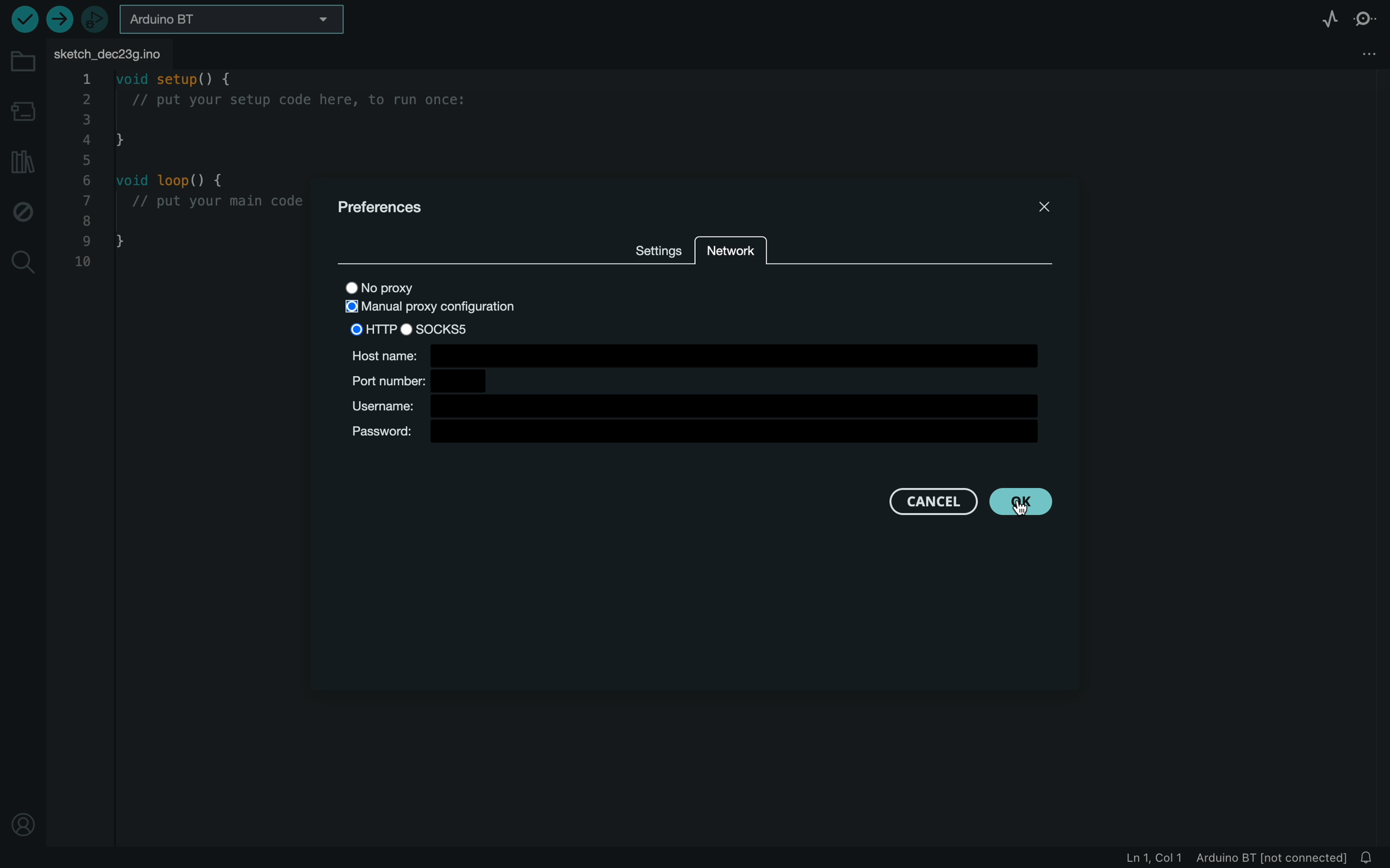  What do you see at coordinates (395, 207) in the screenshot?
I see `preferences` at bounding box center [395, 207].